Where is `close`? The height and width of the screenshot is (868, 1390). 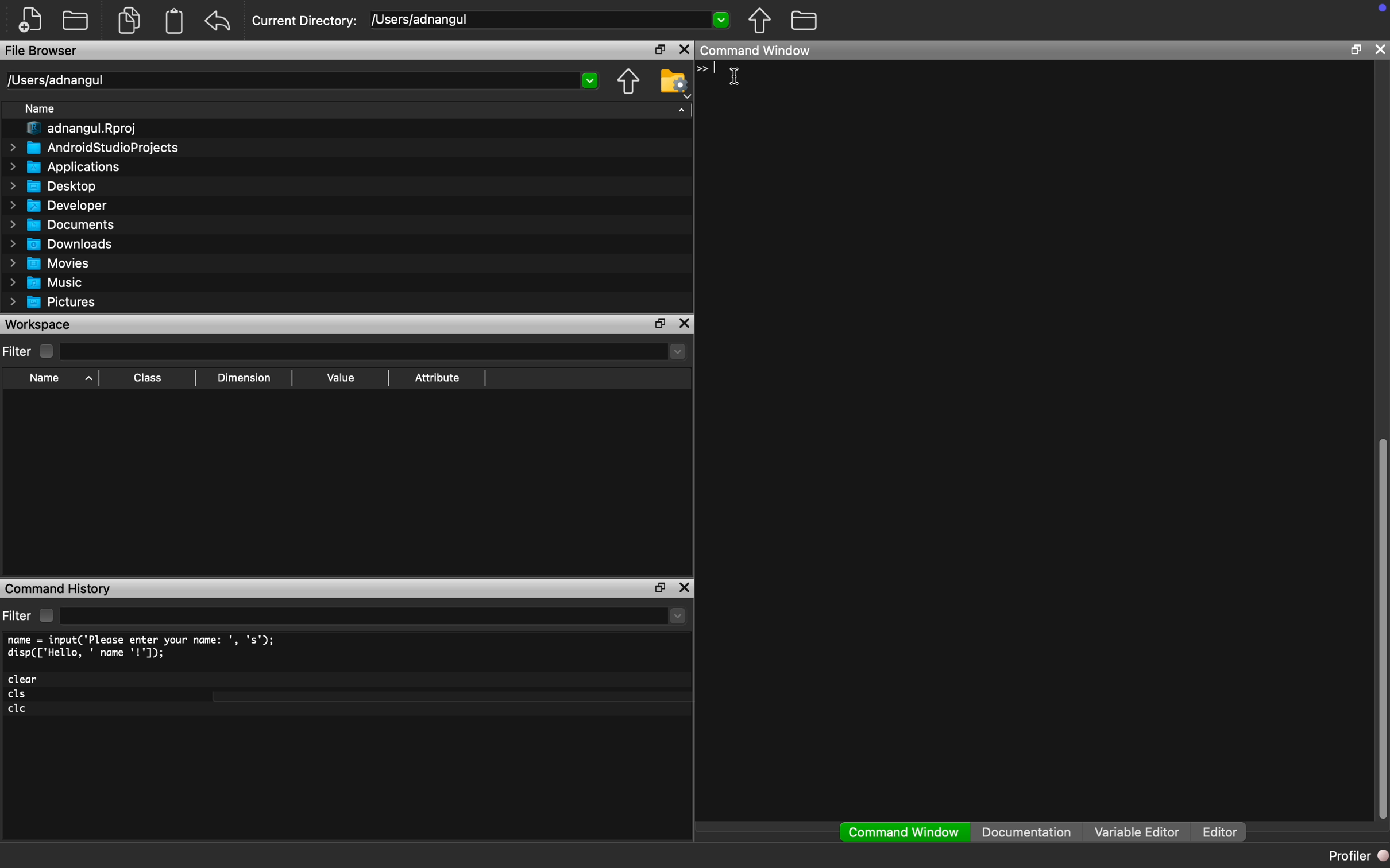 close is located at coordinates (685, 50).